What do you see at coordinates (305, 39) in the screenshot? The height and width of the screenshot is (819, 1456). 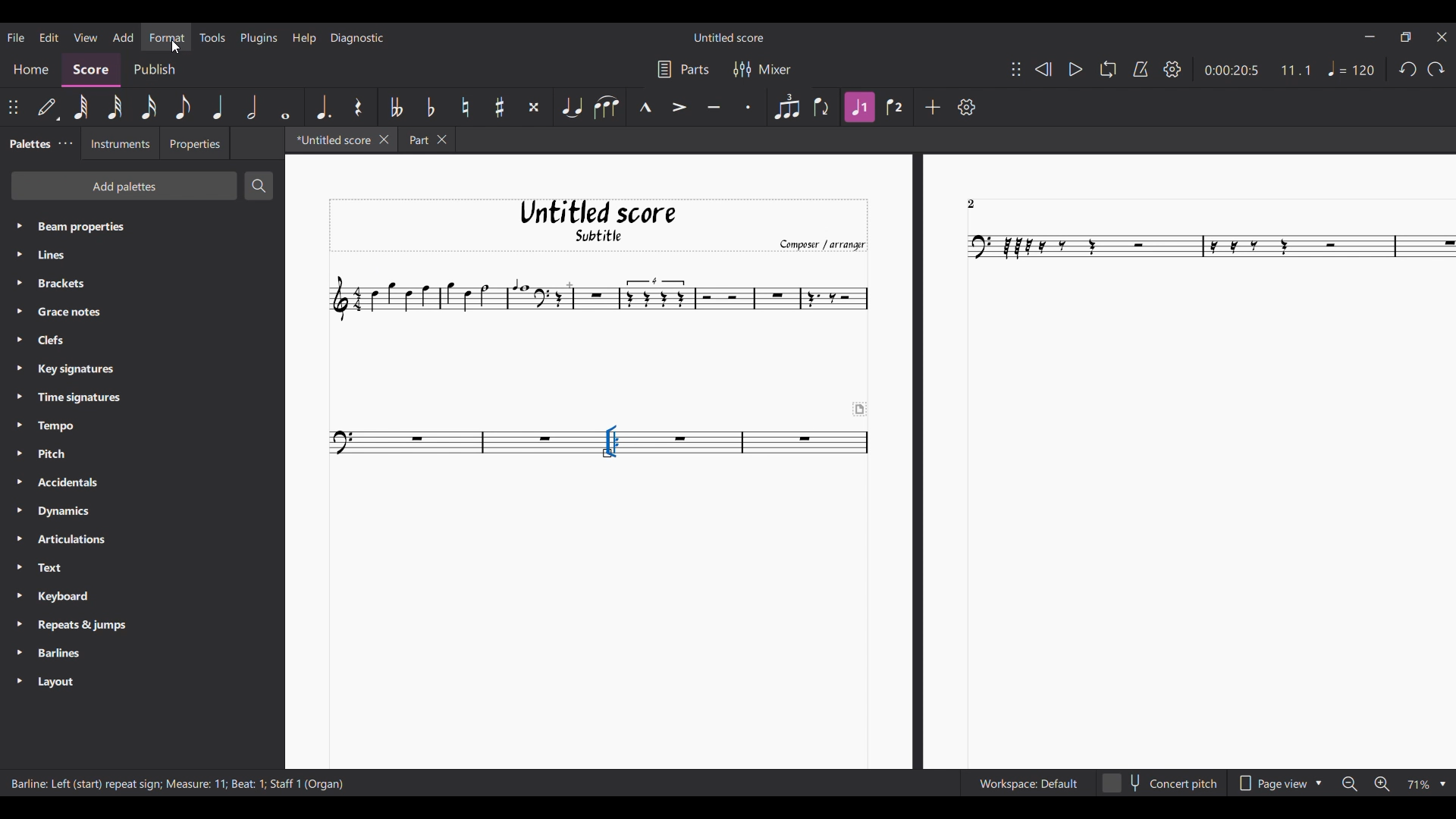 I see `Help menu` at bounding box center [305, 39].